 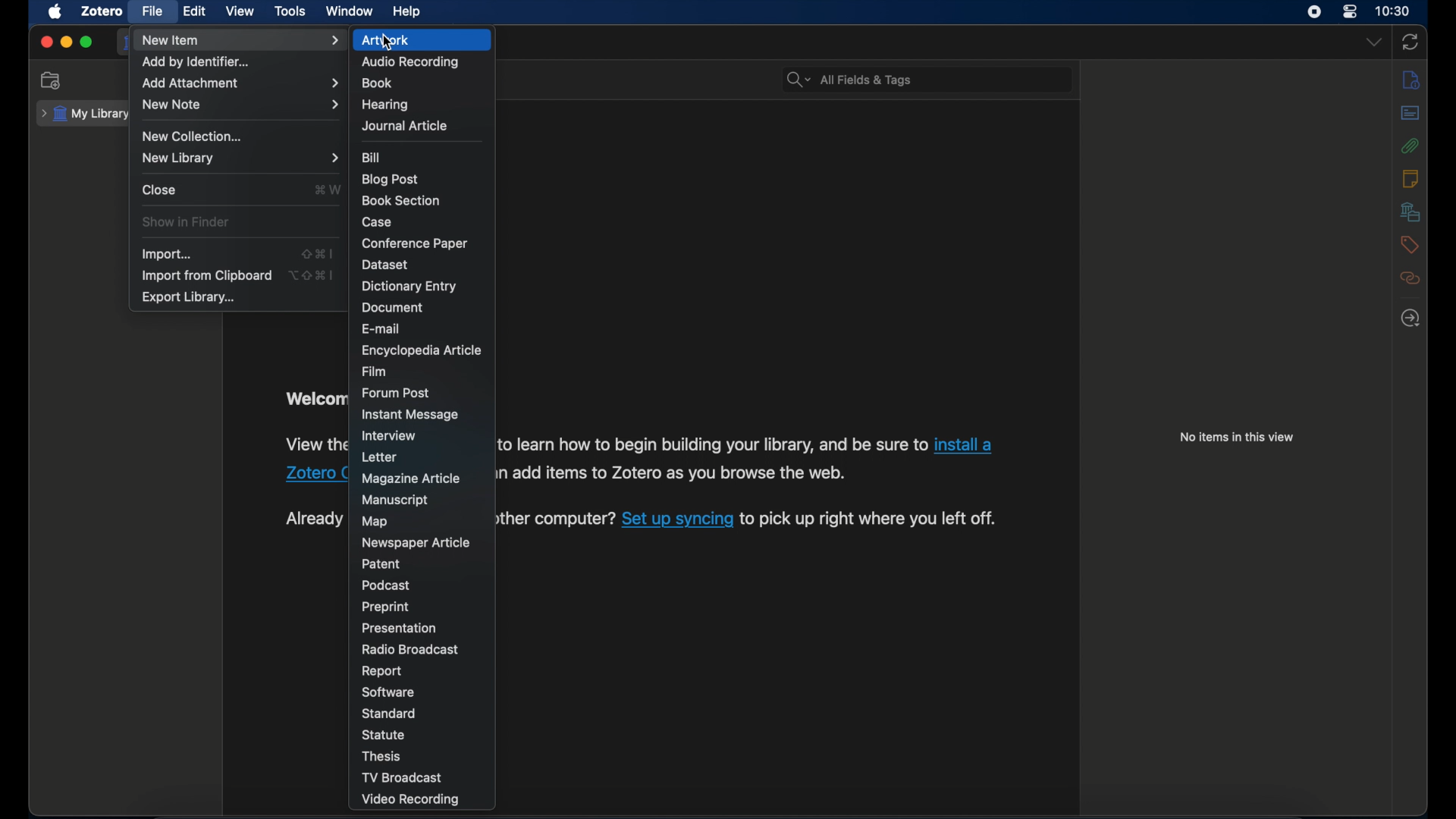 What do you see at coordinates (384, 735) in the screenshot?
I see `statue` at bounding box center [384, 735].